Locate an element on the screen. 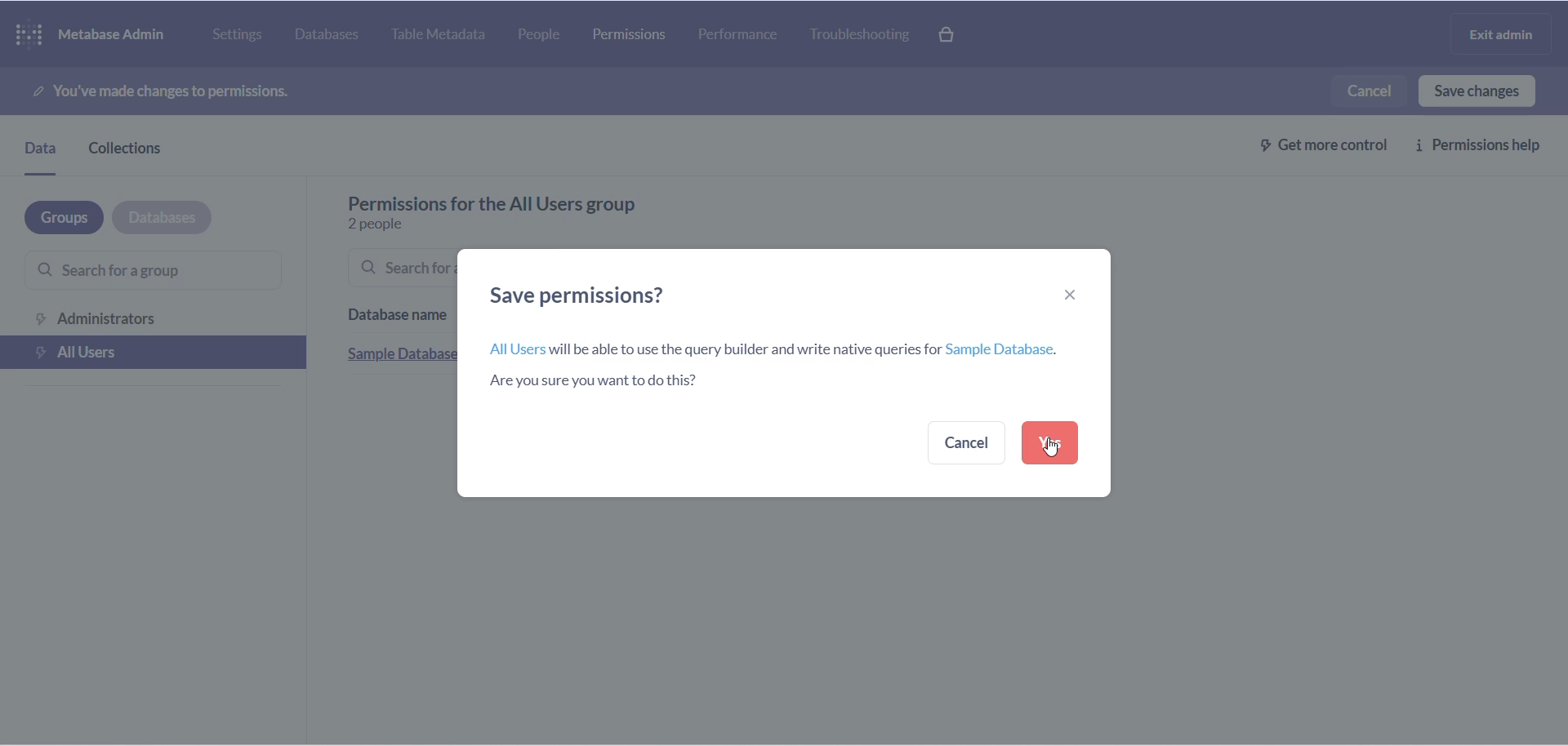 The width and height of the screenshot is (1568, 746). text is located at coordinates (786, 367).